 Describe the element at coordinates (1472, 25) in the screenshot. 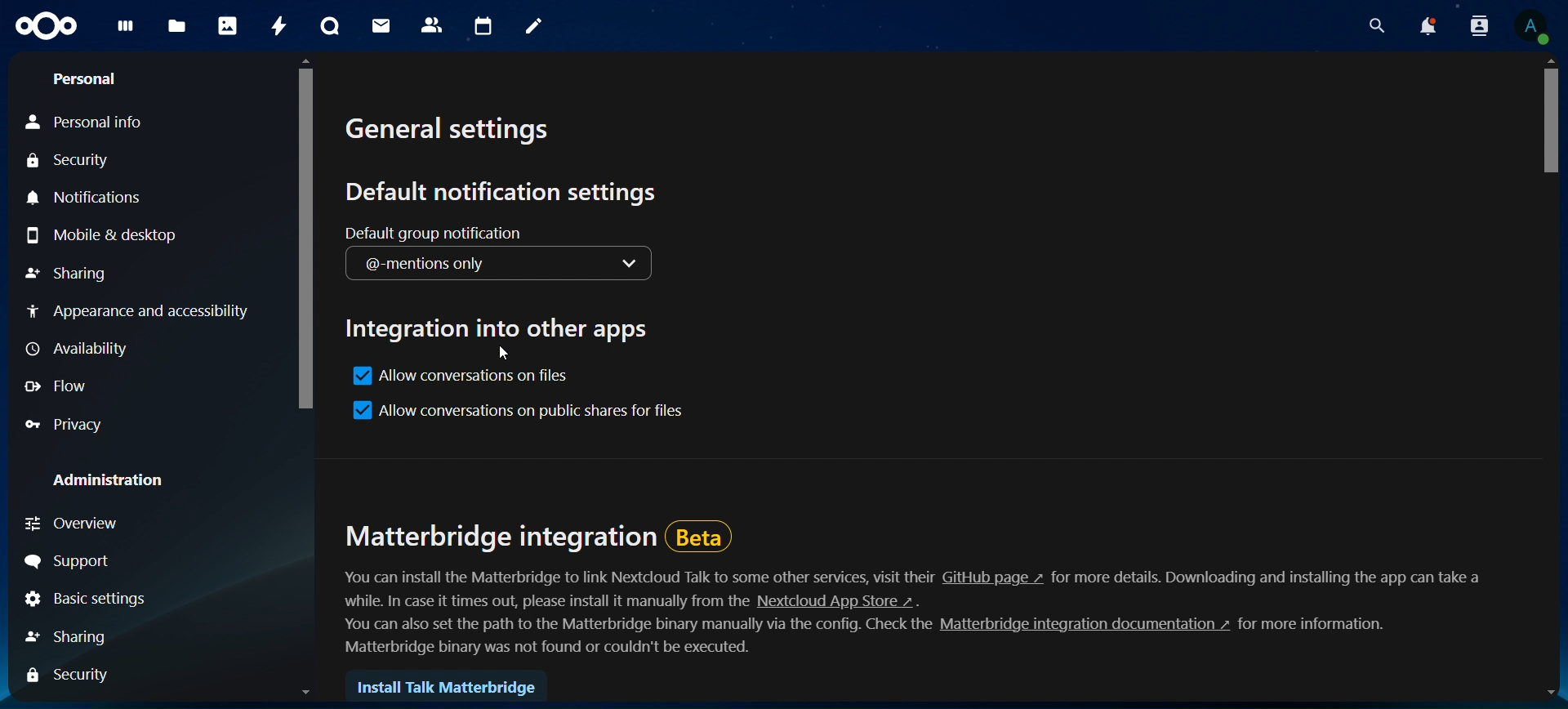

I see `search contacts` at that location.